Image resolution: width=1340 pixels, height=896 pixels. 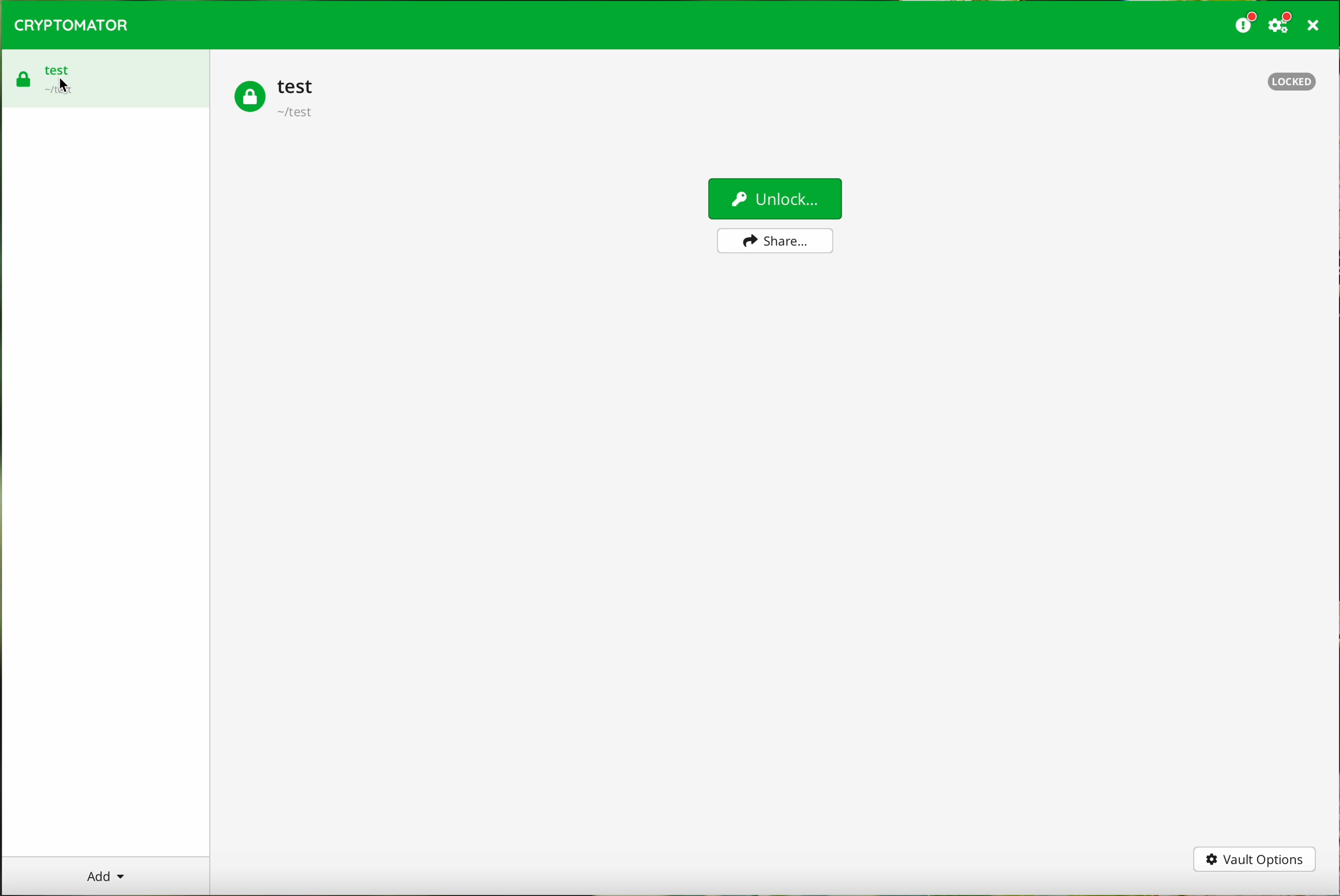 I want to click on close, so click(x=1312, y=25).